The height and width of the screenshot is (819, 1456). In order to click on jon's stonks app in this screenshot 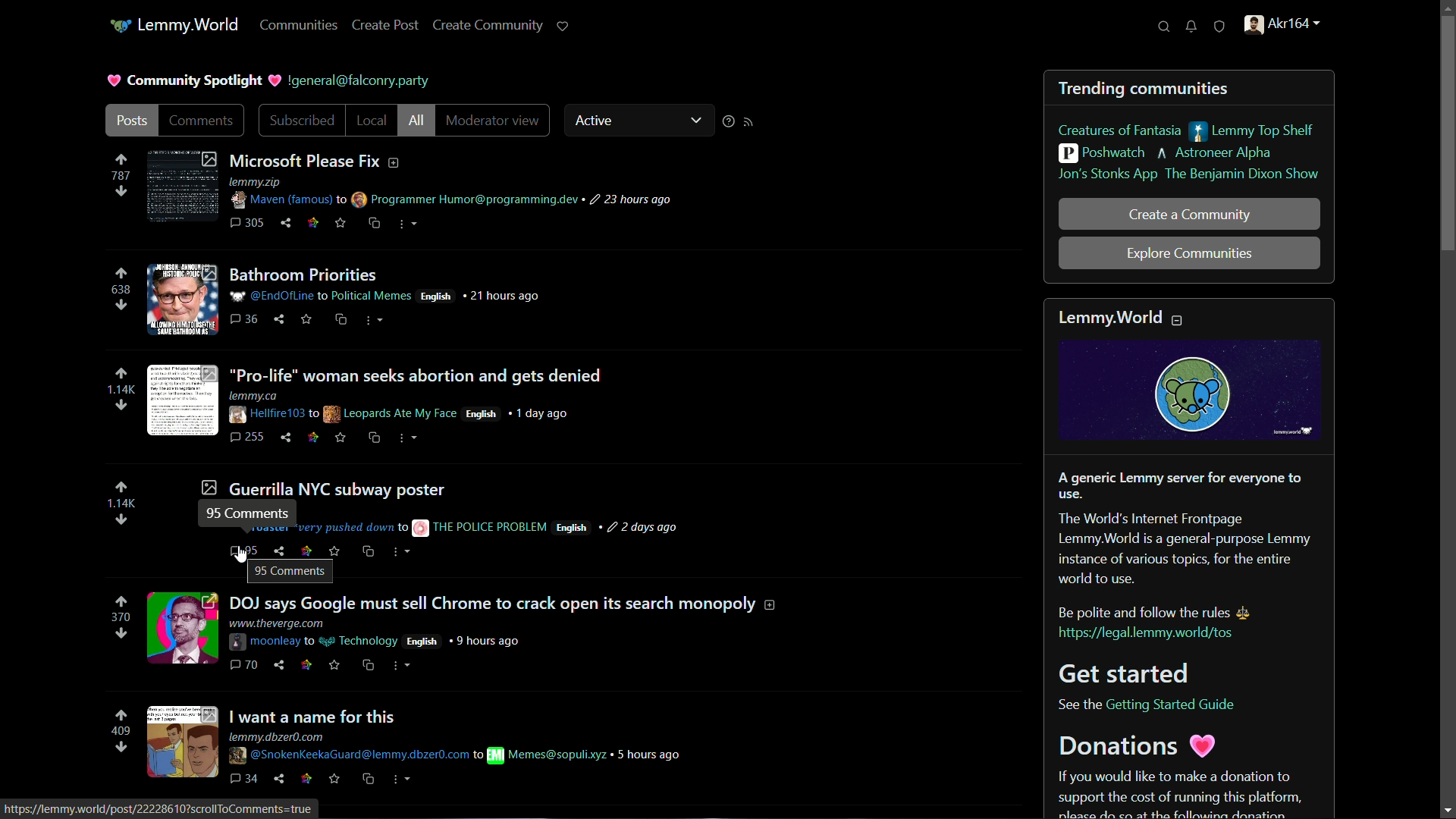, I will do `click(1103, 176)`.